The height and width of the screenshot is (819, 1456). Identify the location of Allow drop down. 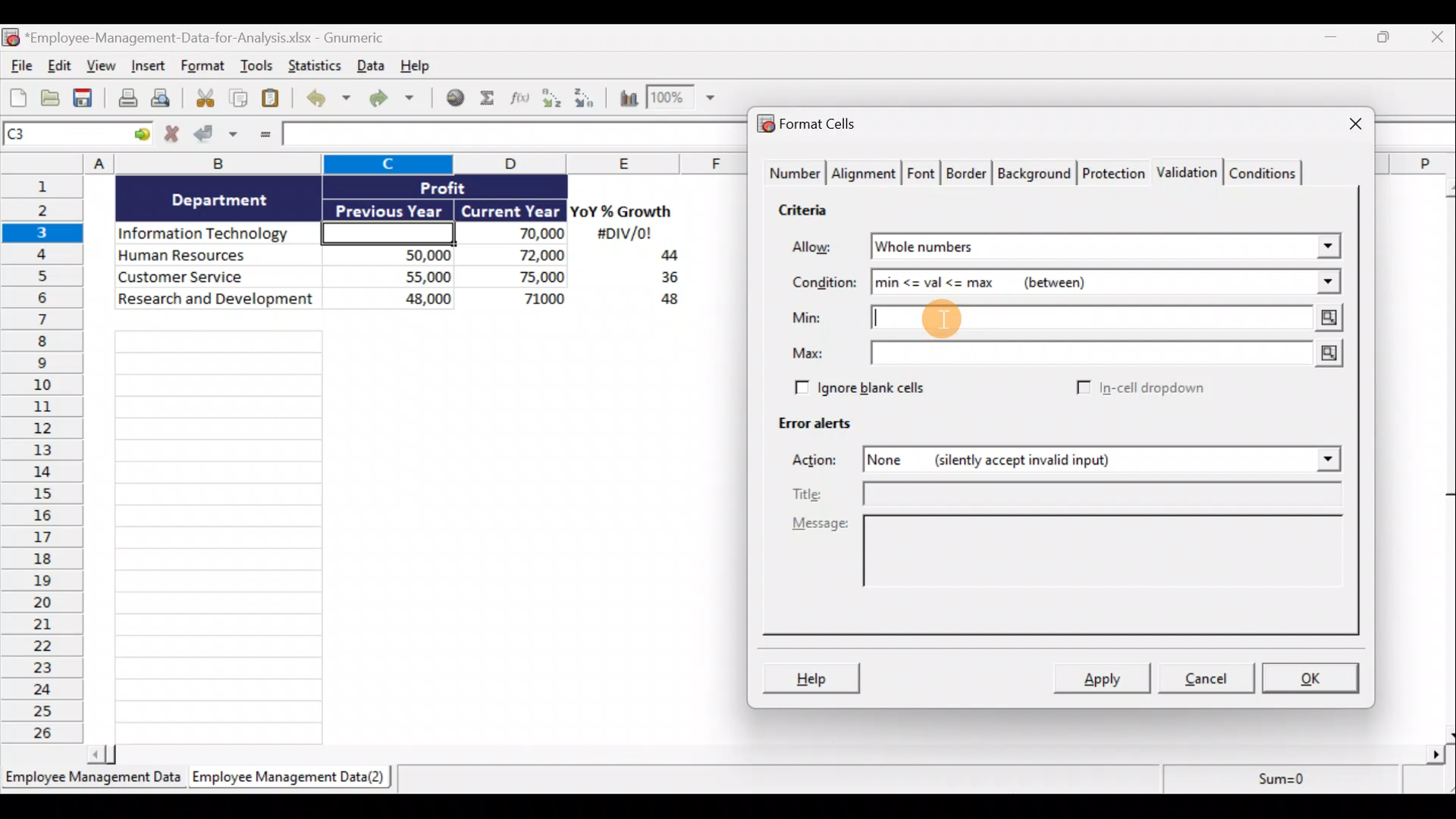
(1325, 242).